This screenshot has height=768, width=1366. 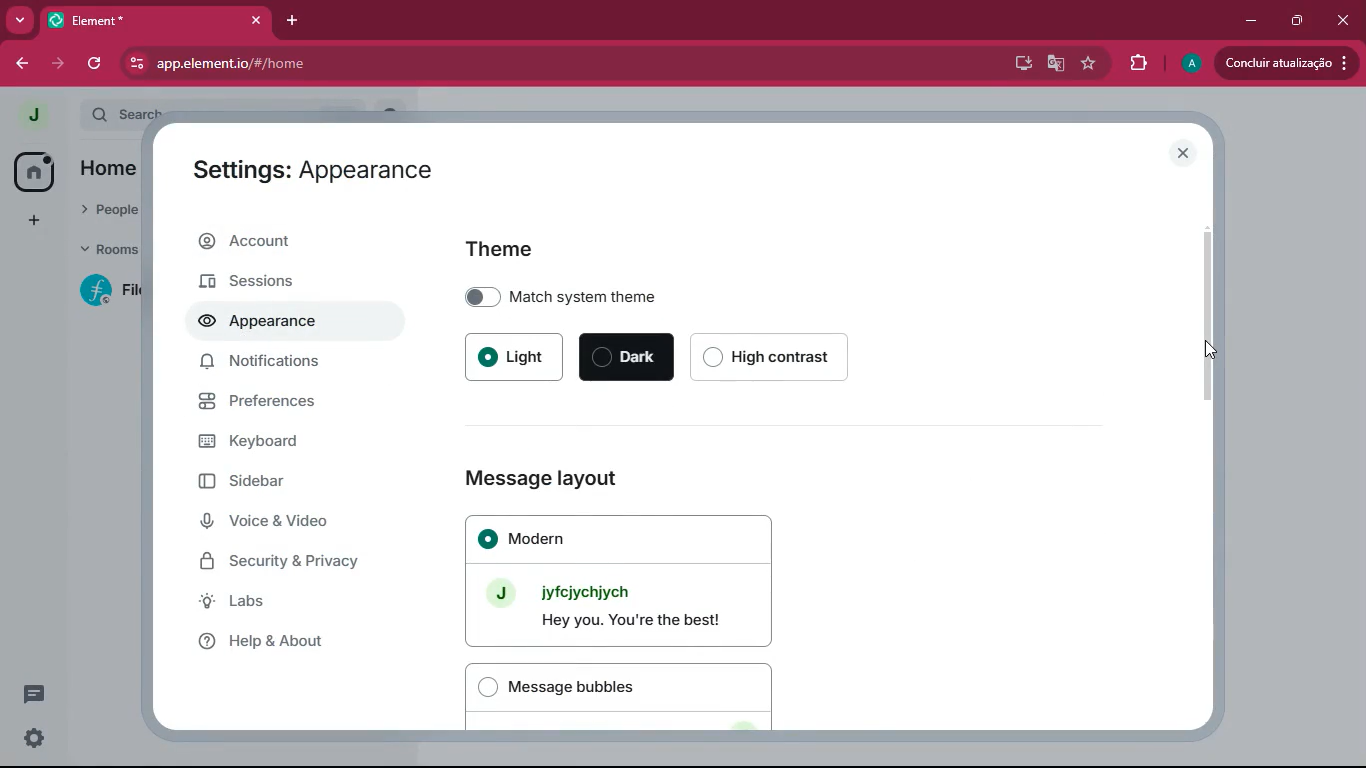 I want to click on app.elementio/#/home, so click(x=437, y=63).